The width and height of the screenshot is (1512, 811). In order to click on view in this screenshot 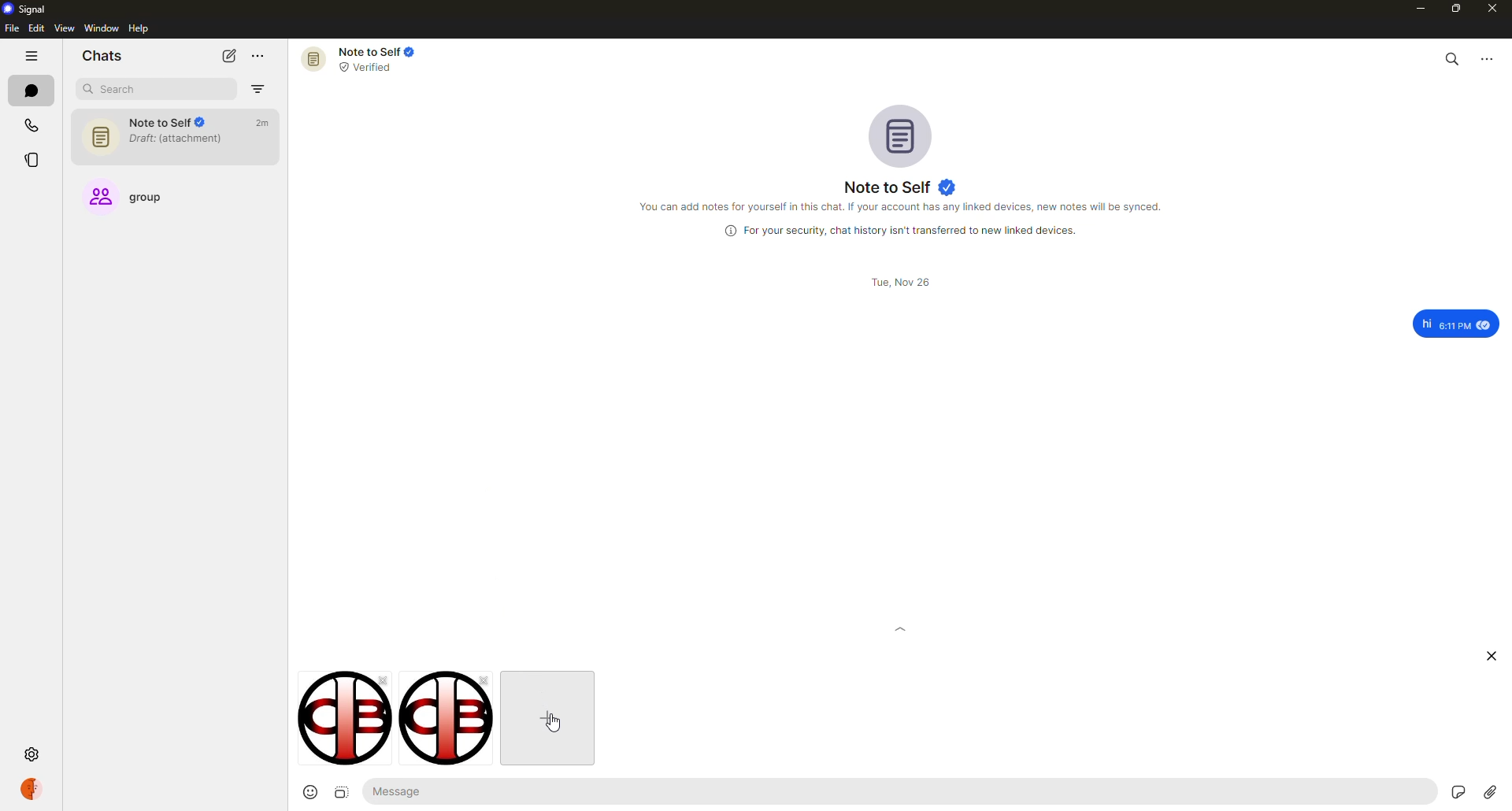, I will do `click(65, 29)`.